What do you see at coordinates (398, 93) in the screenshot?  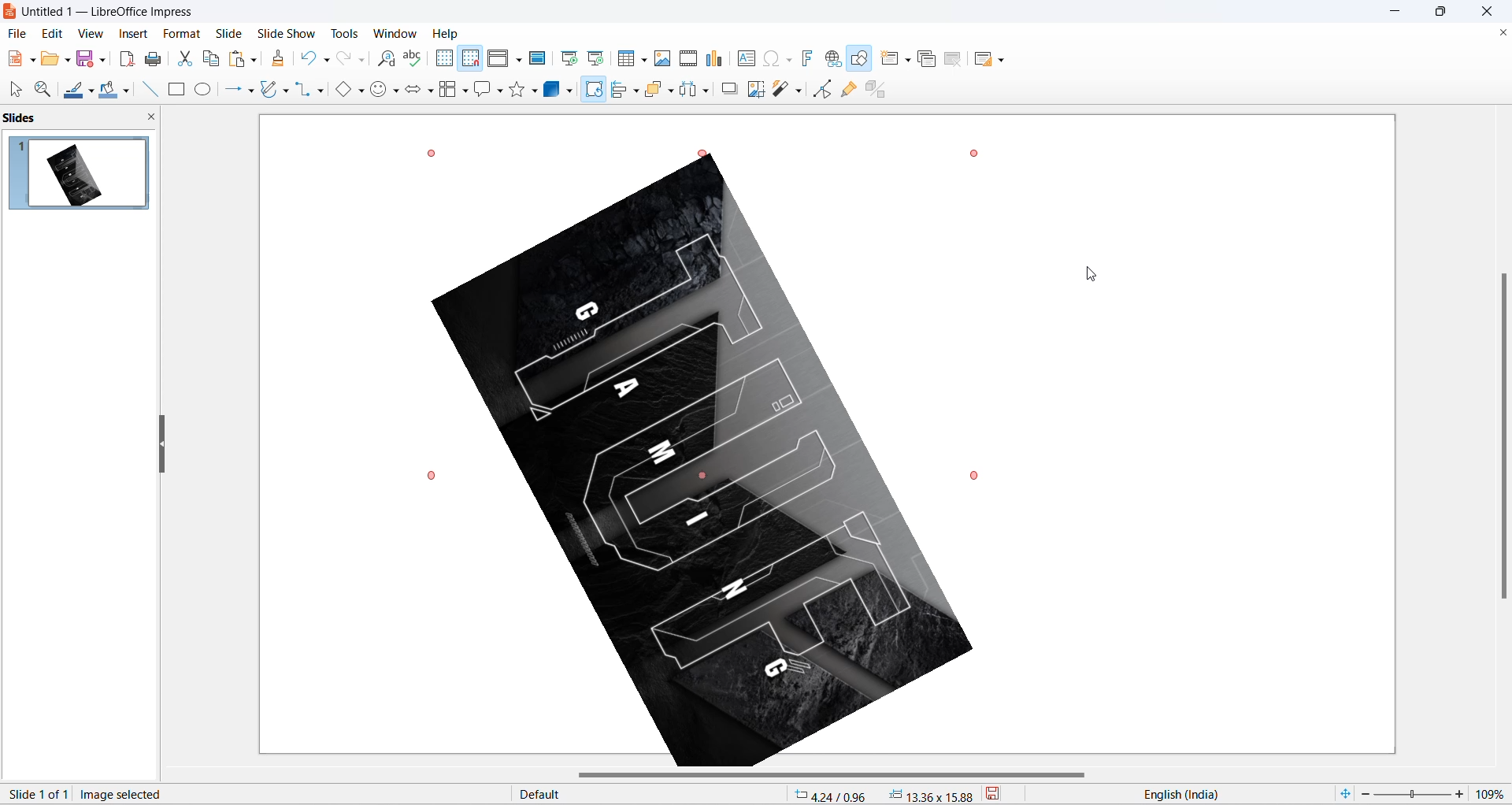 I see `symbol shapes` at bounding box center [398, 93].